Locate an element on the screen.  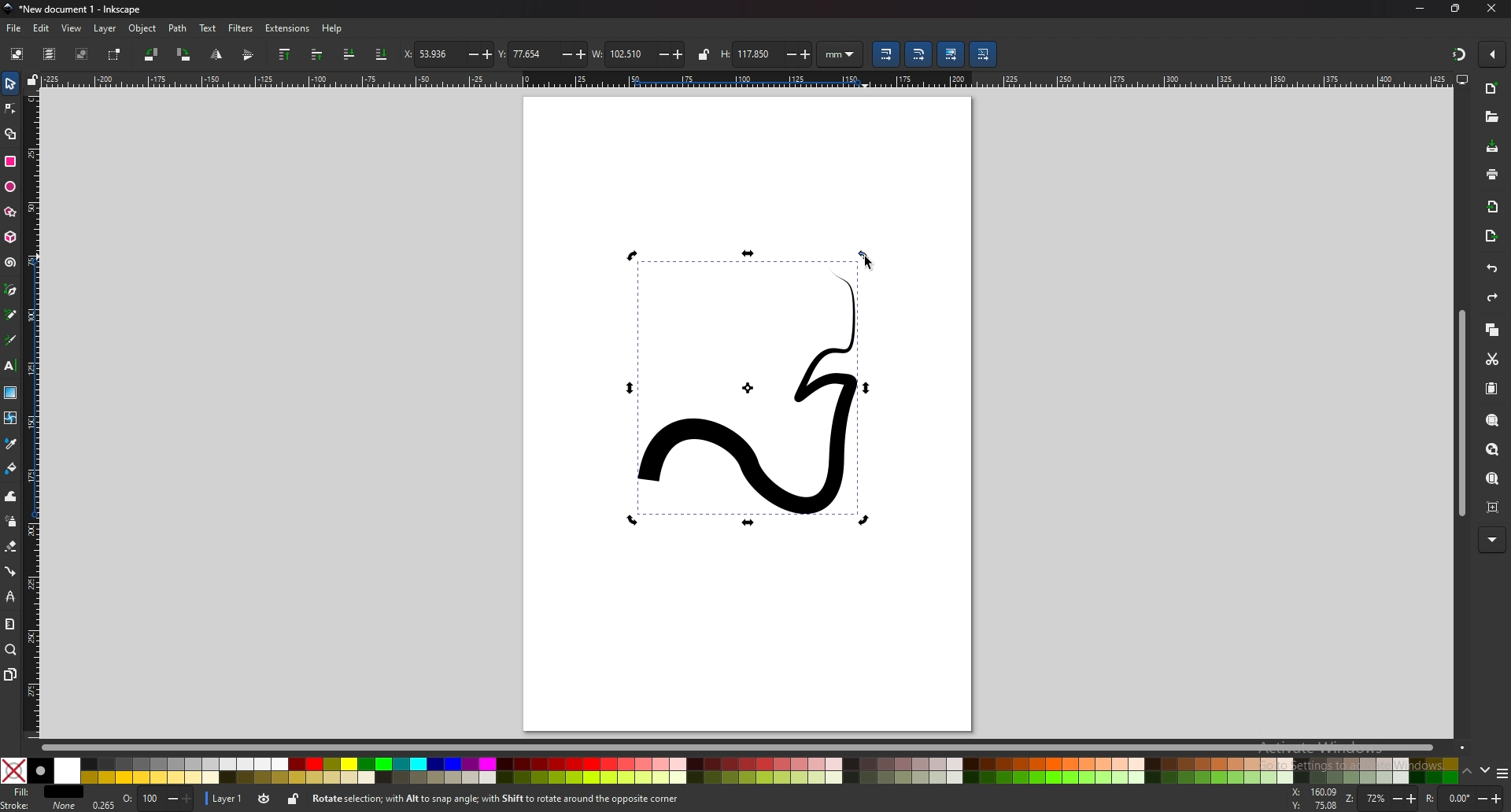
unit is located at coordinates (840, 55).